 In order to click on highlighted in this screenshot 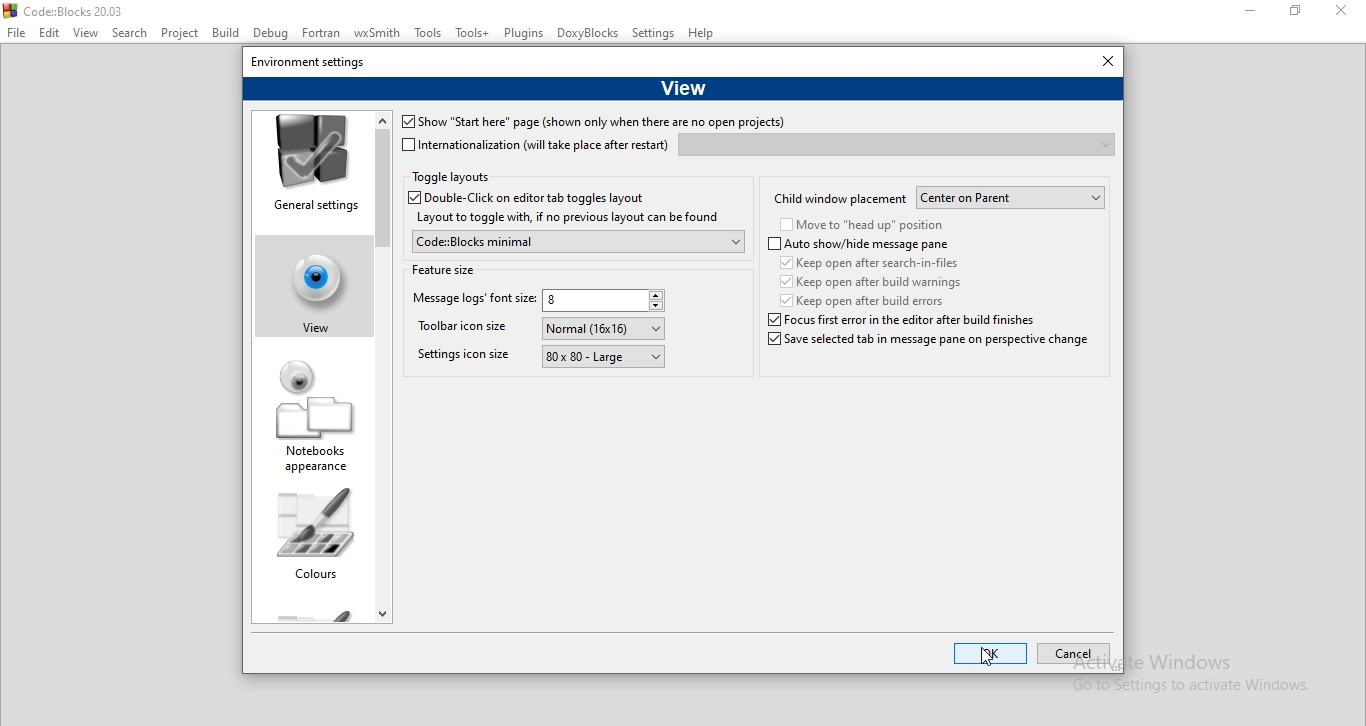, I will do `click(308, 282)`.